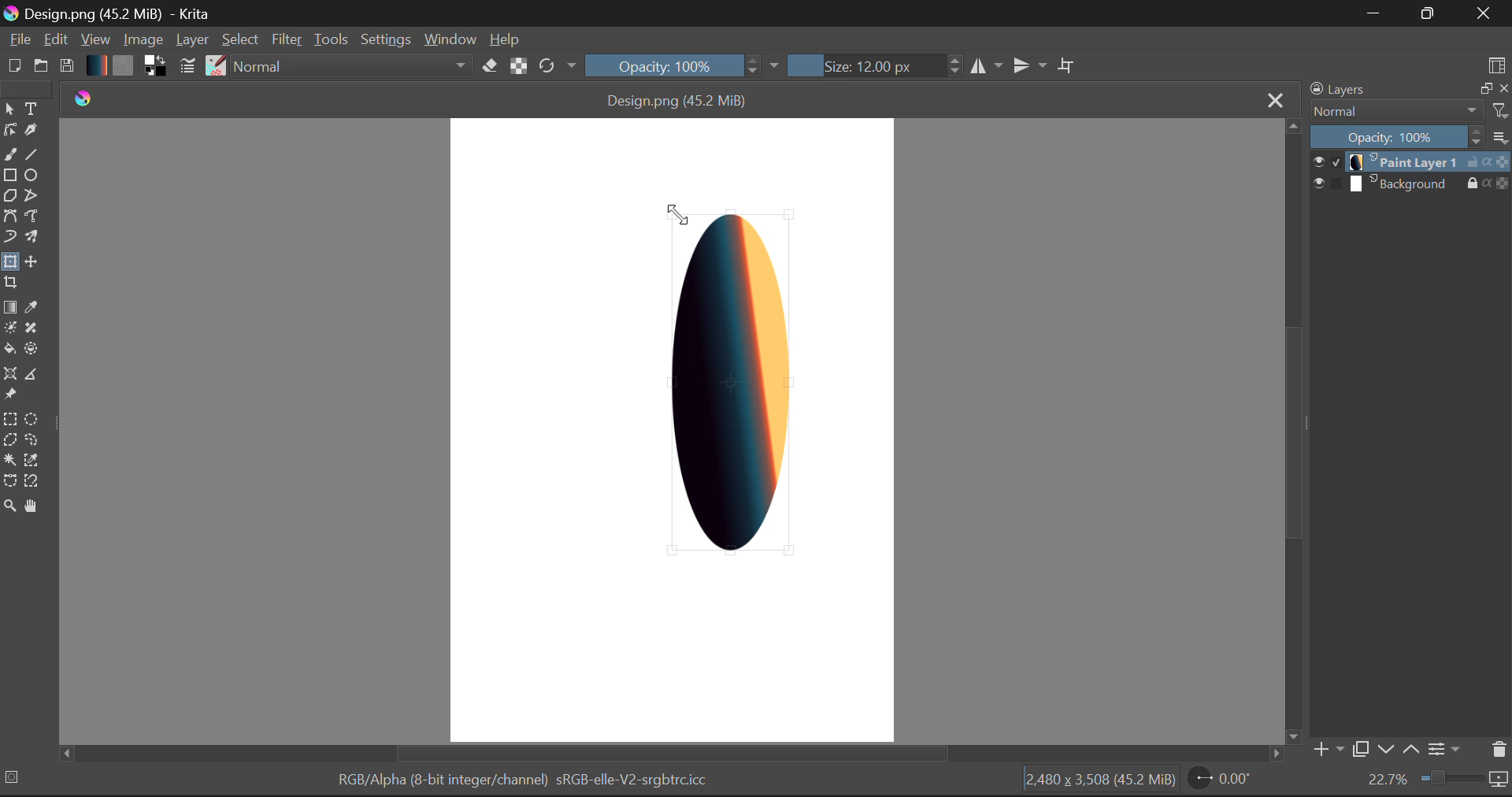  I want to click on Save, so click(66, 66).